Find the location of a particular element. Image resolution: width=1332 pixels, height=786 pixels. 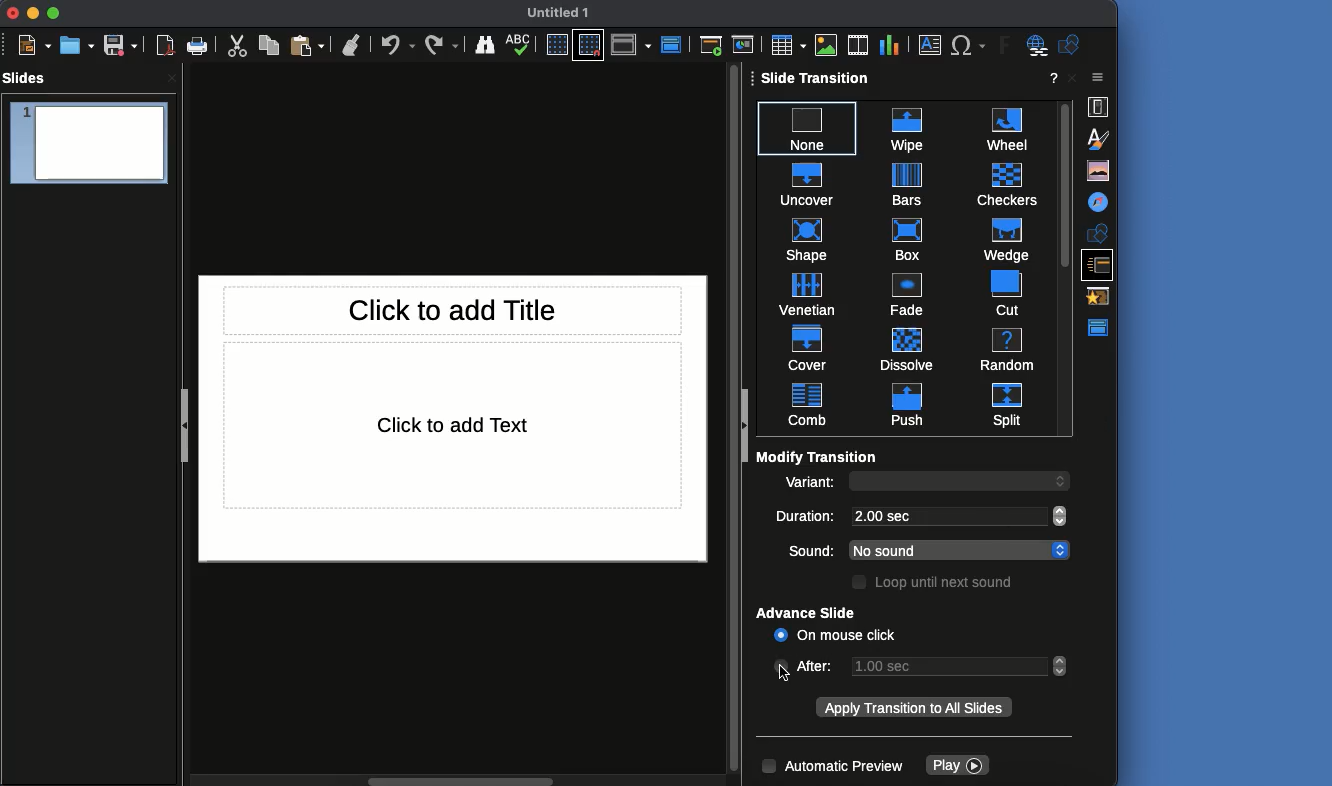

After is located at coordinates (818, 666).